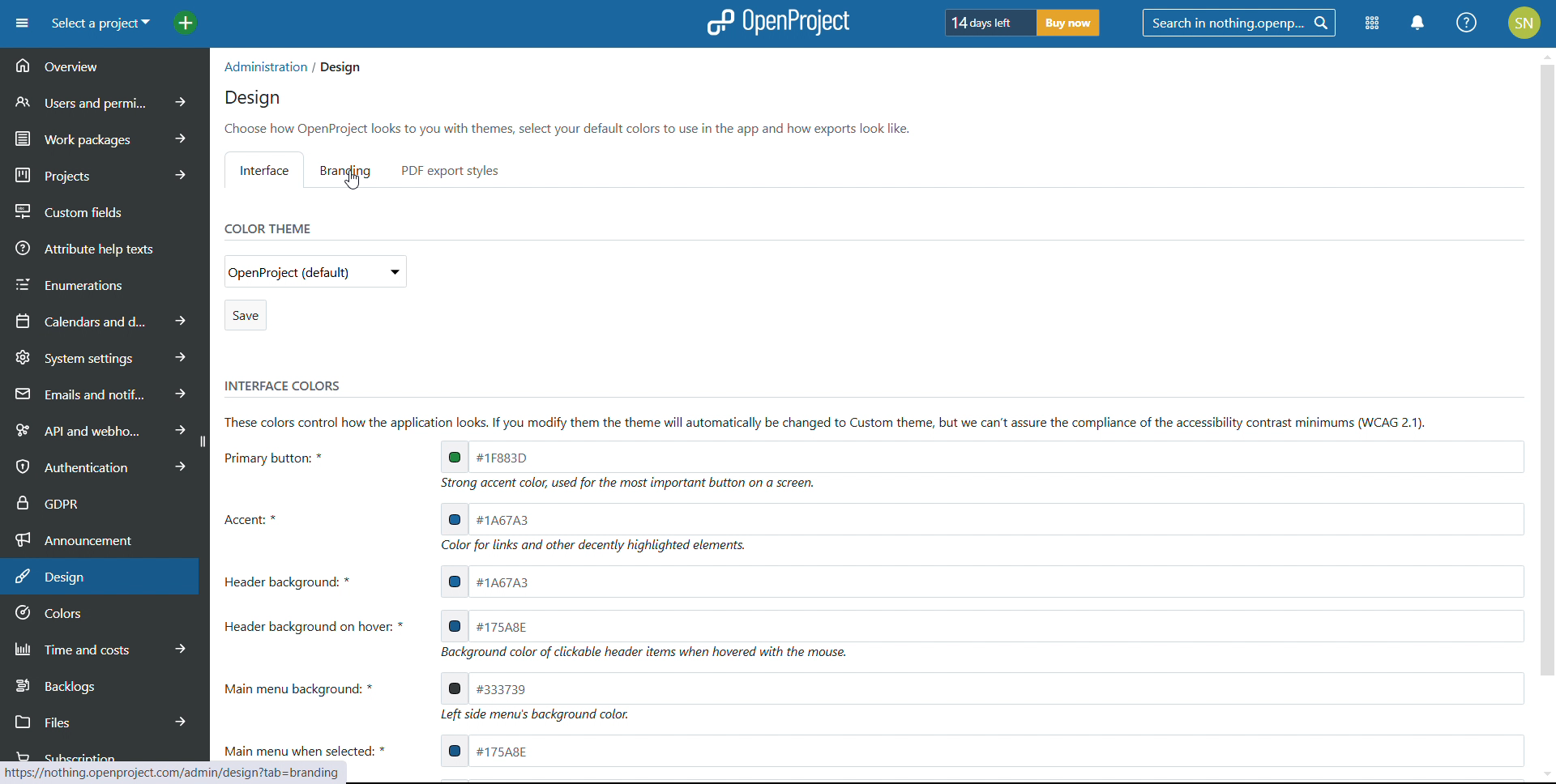 This screenshot has height=784, width=1556. What do you see at coordinates (982, 519) in the screenshot?
I see `accents` at bounding box center [982, 519].